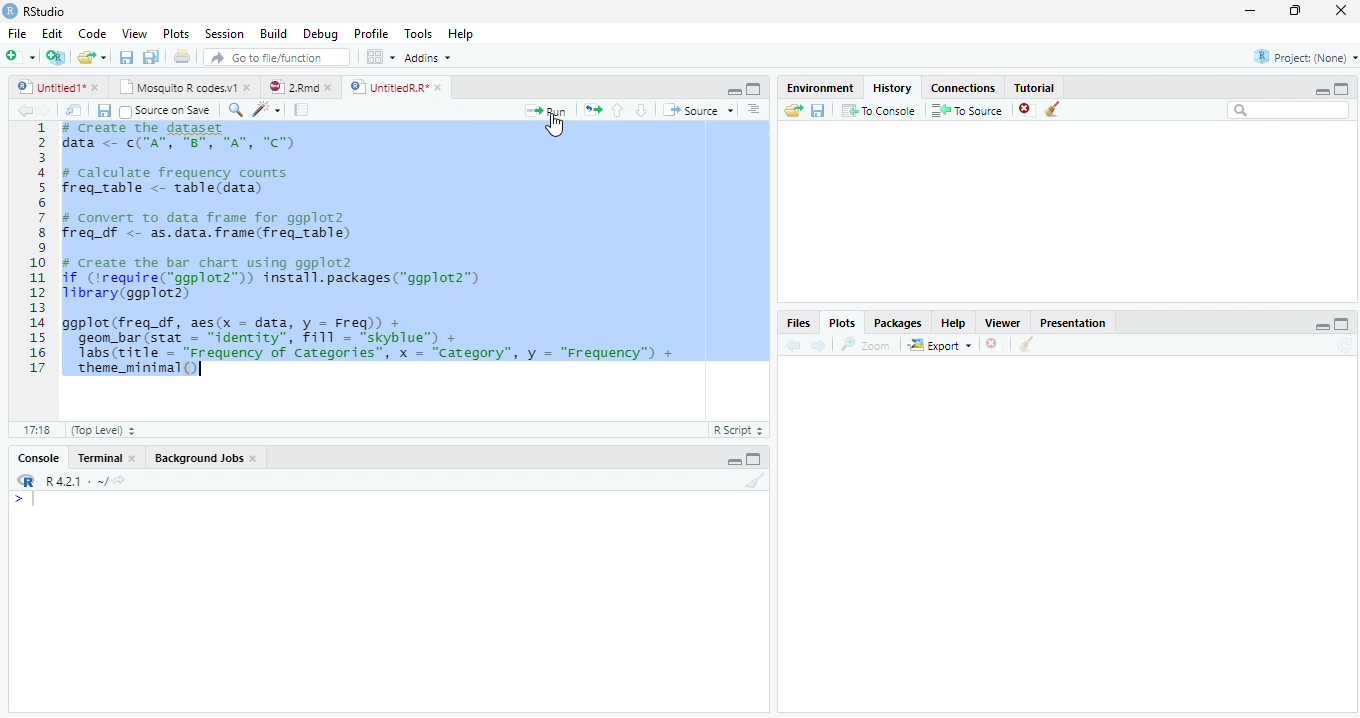 The image size is (1360, 718). What do you see at coordinates (1052, 108) in the screenshot?
I see `Clear Console` at bounding box center [1052, 108].